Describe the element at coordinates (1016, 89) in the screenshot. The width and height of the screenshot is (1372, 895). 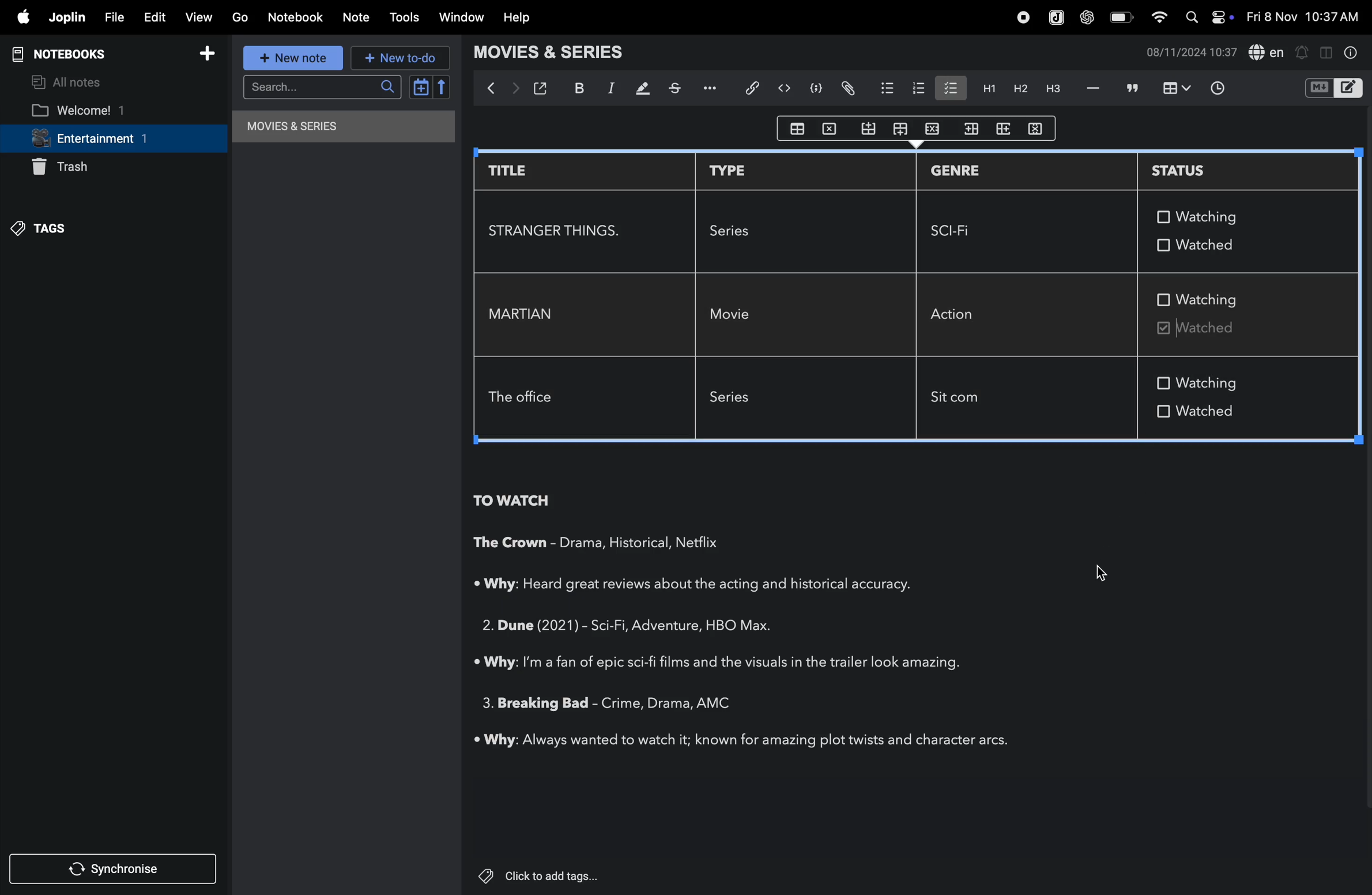
I see `heading 2` at that location.